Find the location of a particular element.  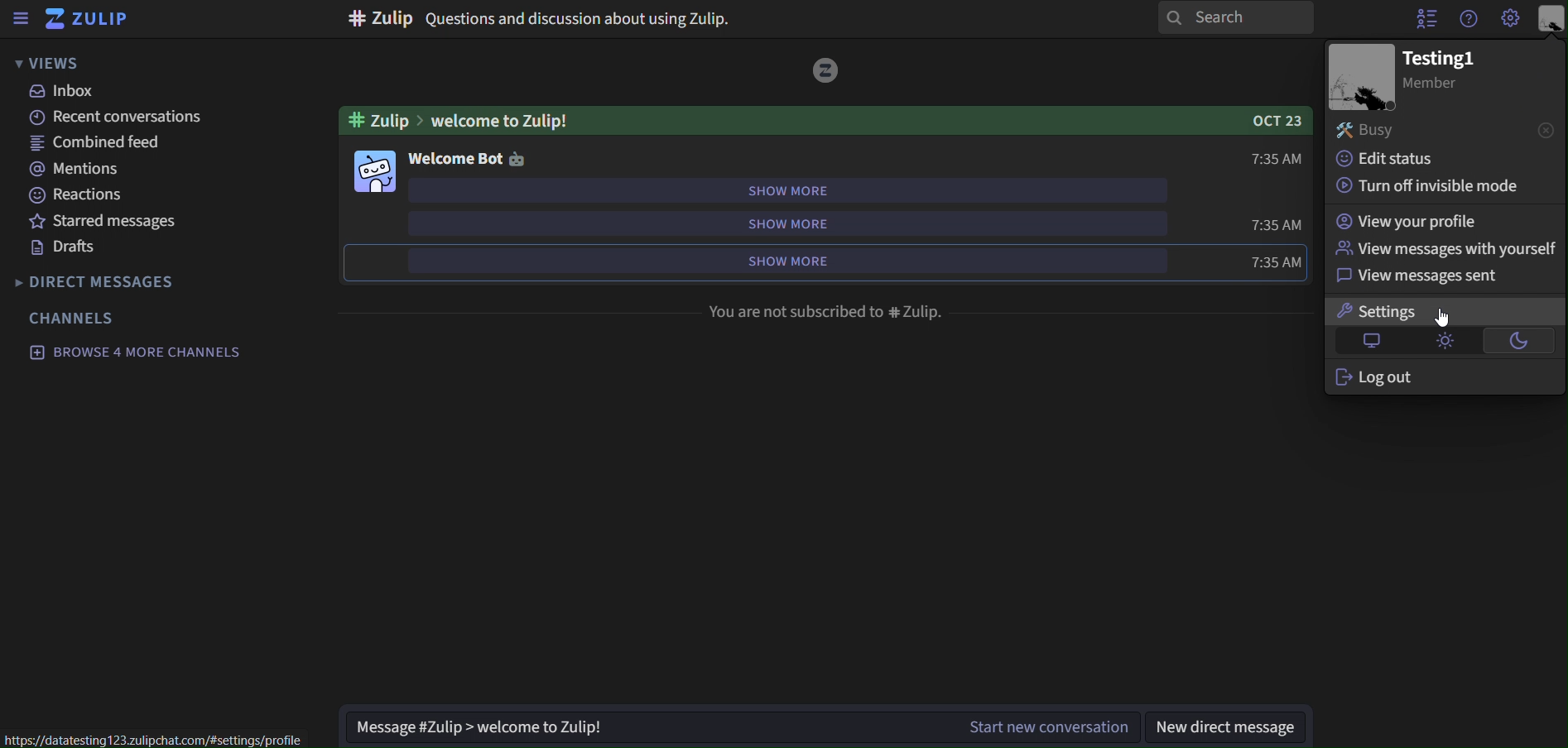

7:35 am is located at coordinates (1277, 226).